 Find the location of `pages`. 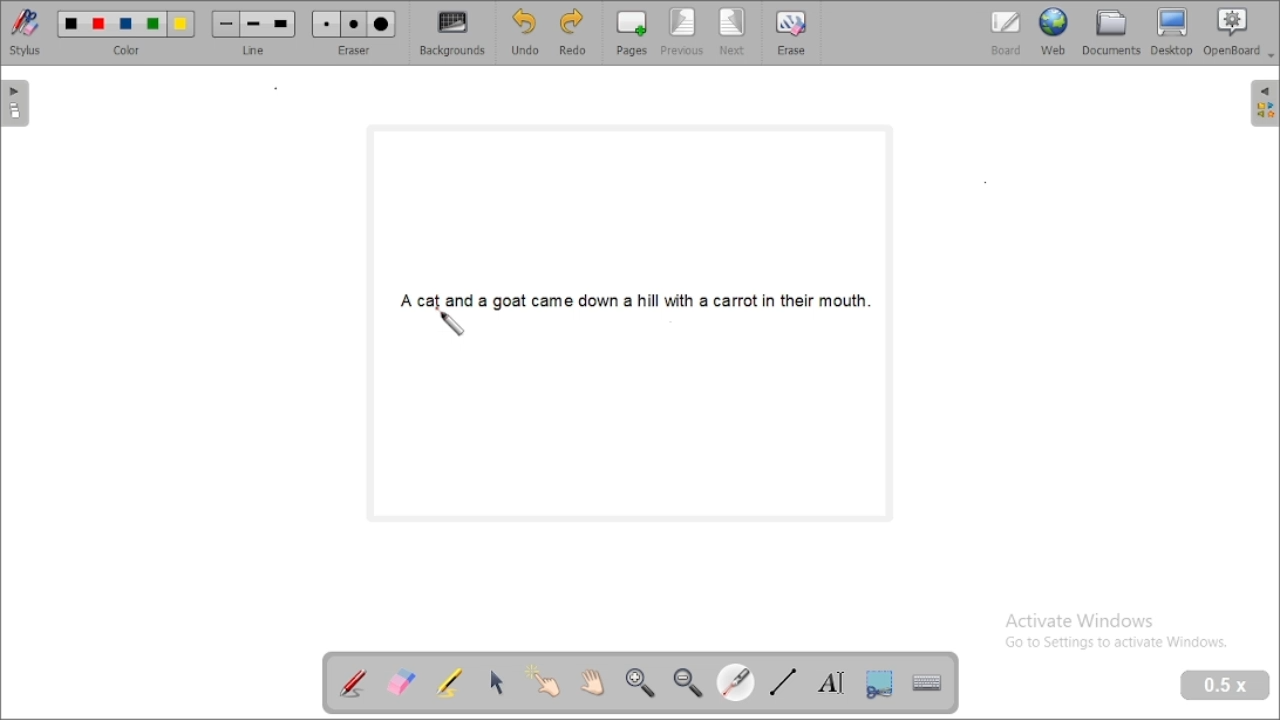

pages is located at coordinates (631, 33).